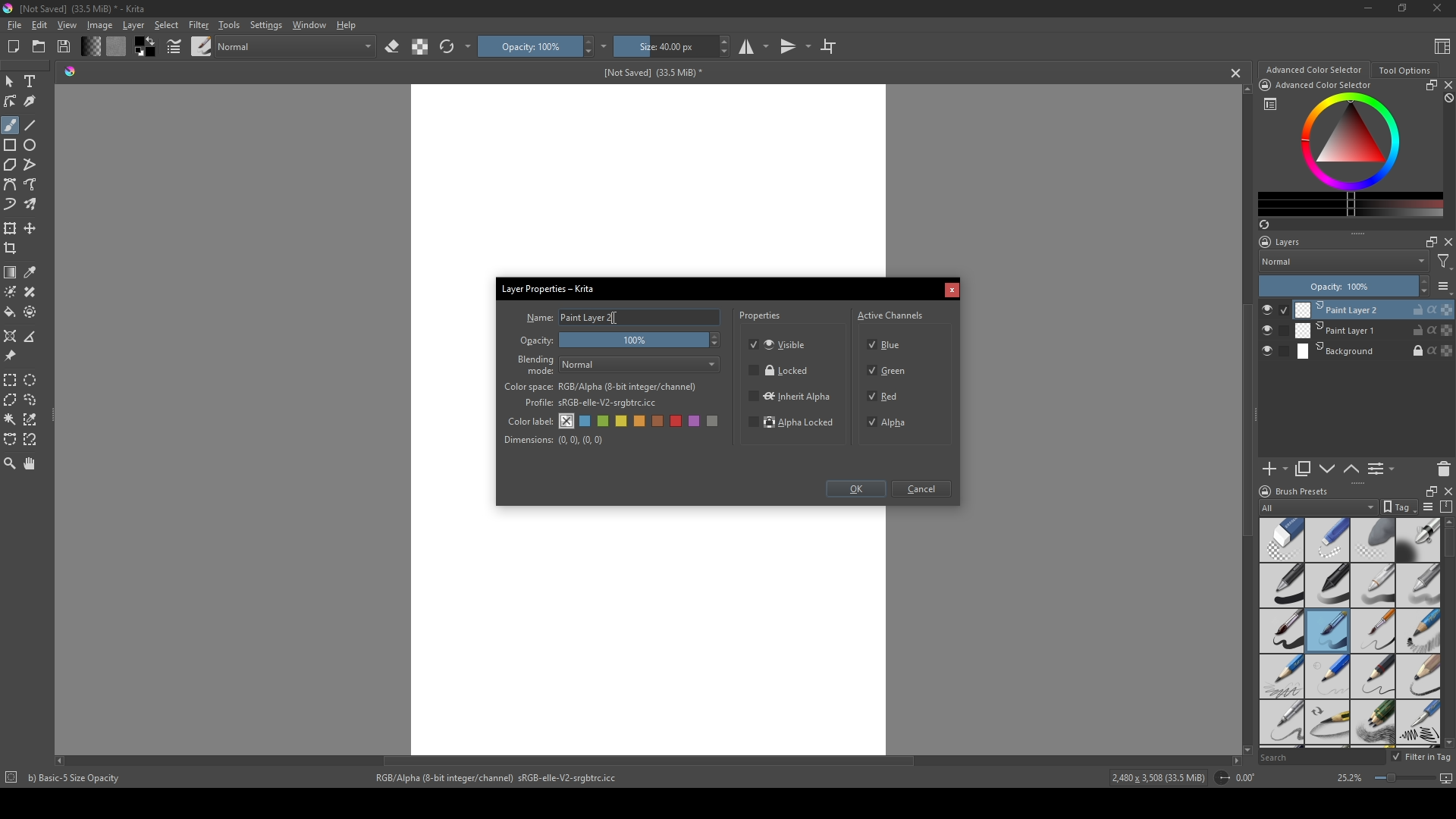 The width and height of the screenshot is (1456, 819). What do you see at coordinates (780, 371) in the screenshot?
I see `Locked` at bounding box center [780, 371].